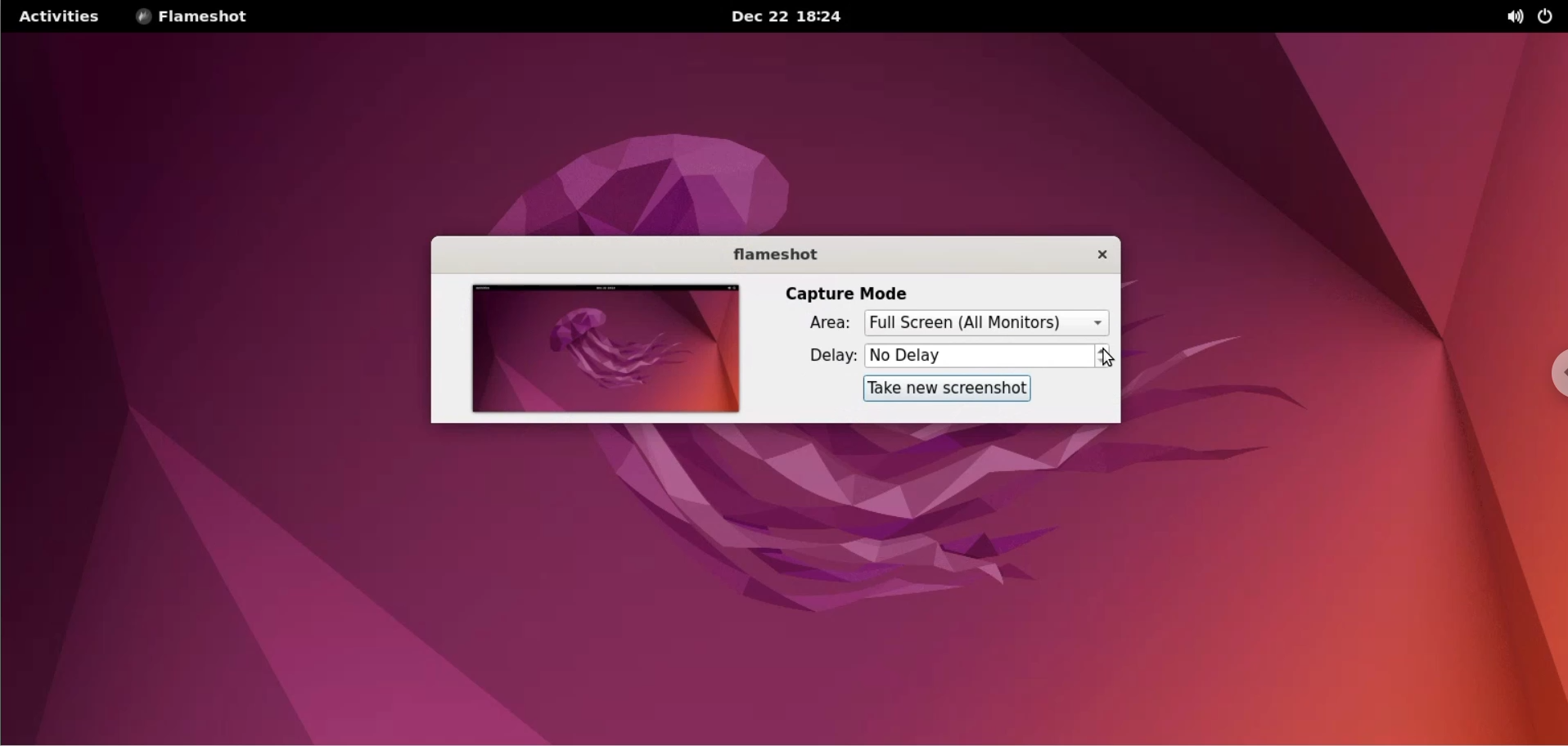 The width and height of the screenshot is (1568, 746). I want to click on No delay, so click(980, 355).